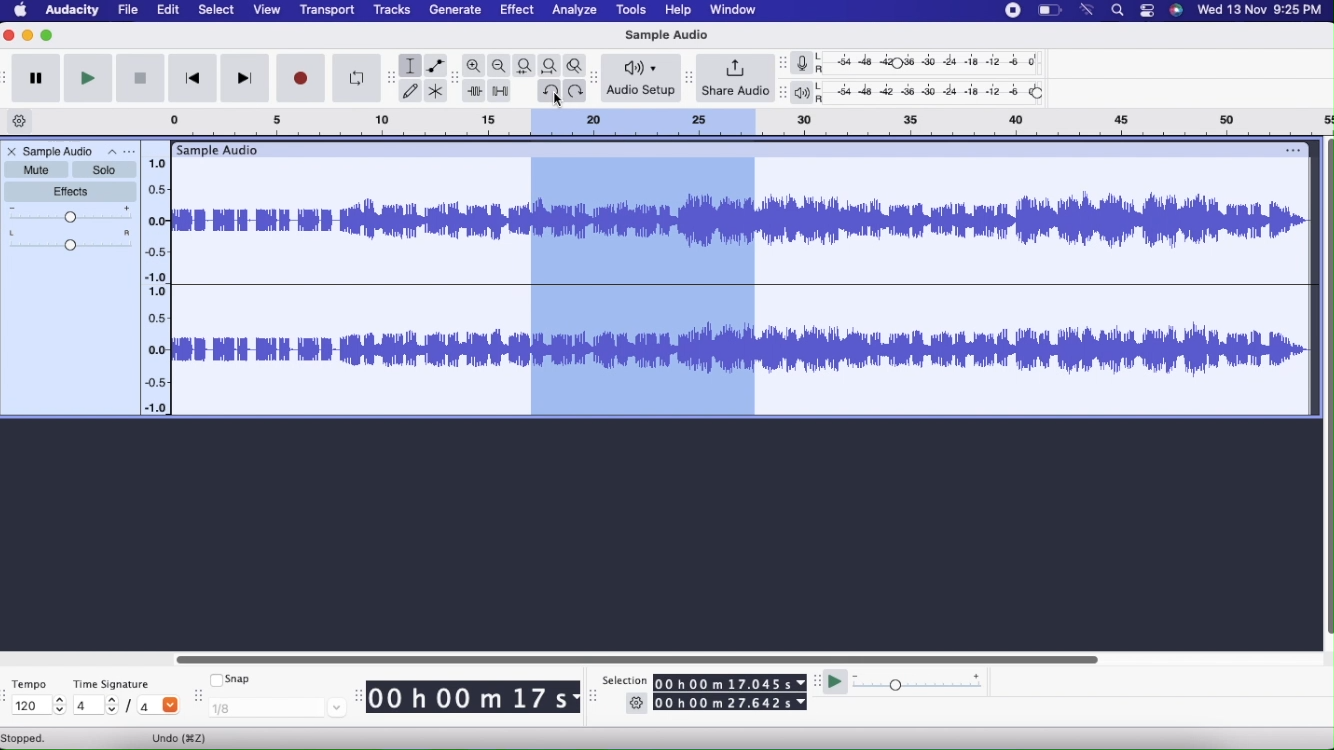 This screenshot has height=750, width=1334. What do you see at coordinates (732, 10) in the screenshot?
I see `Window` at bounding box center [732, 10].